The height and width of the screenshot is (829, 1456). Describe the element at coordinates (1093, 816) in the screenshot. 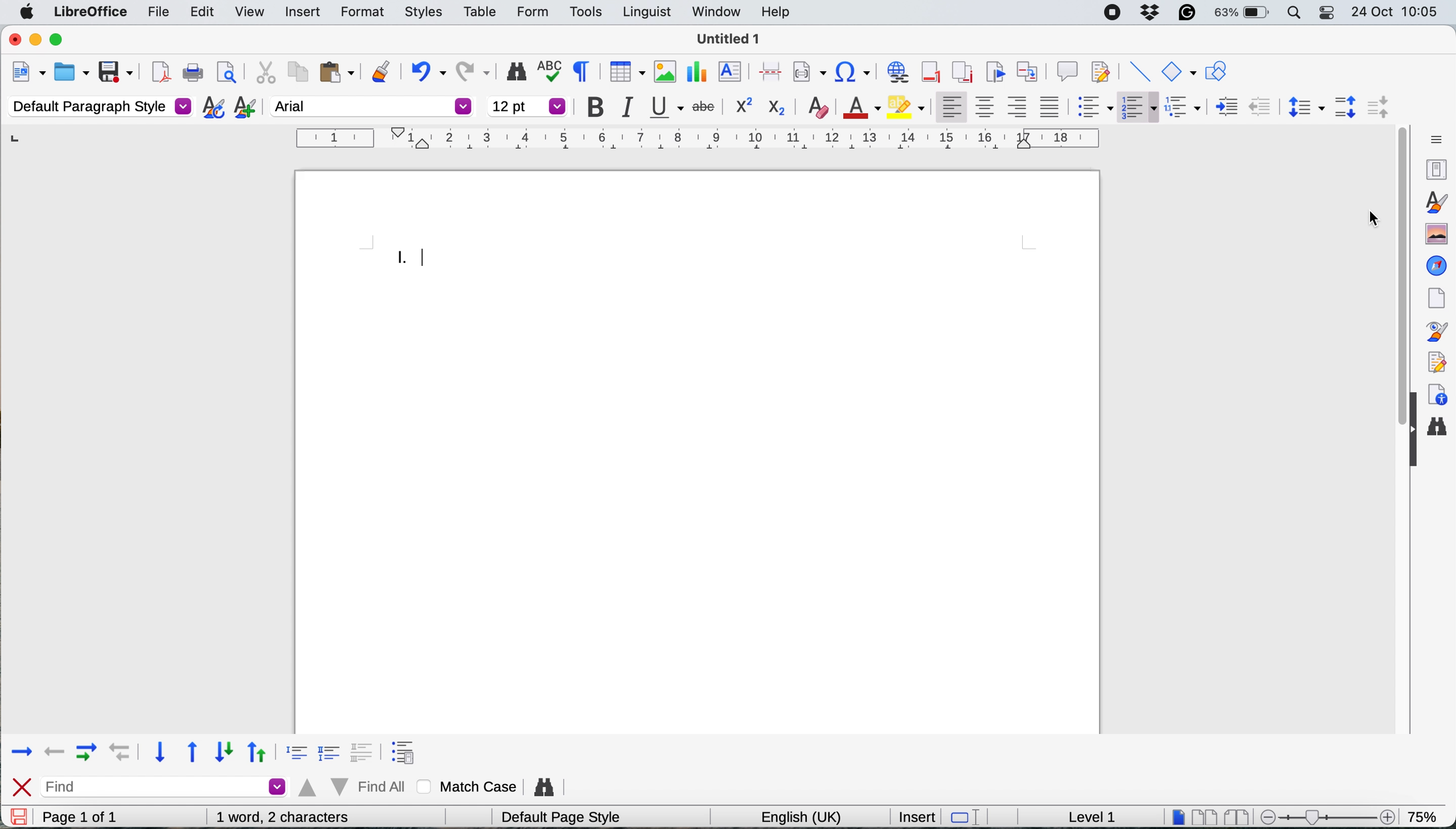

I see `level 1` at that location.